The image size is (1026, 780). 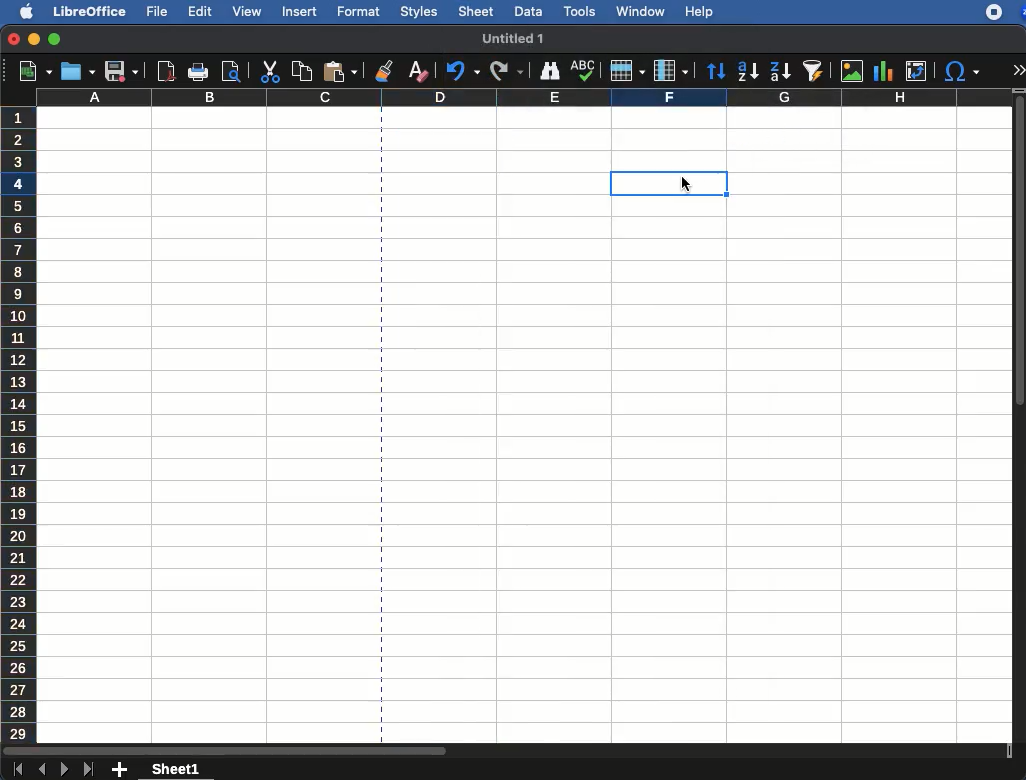 I want to click on recording - extension, so click(x=994, y=12).